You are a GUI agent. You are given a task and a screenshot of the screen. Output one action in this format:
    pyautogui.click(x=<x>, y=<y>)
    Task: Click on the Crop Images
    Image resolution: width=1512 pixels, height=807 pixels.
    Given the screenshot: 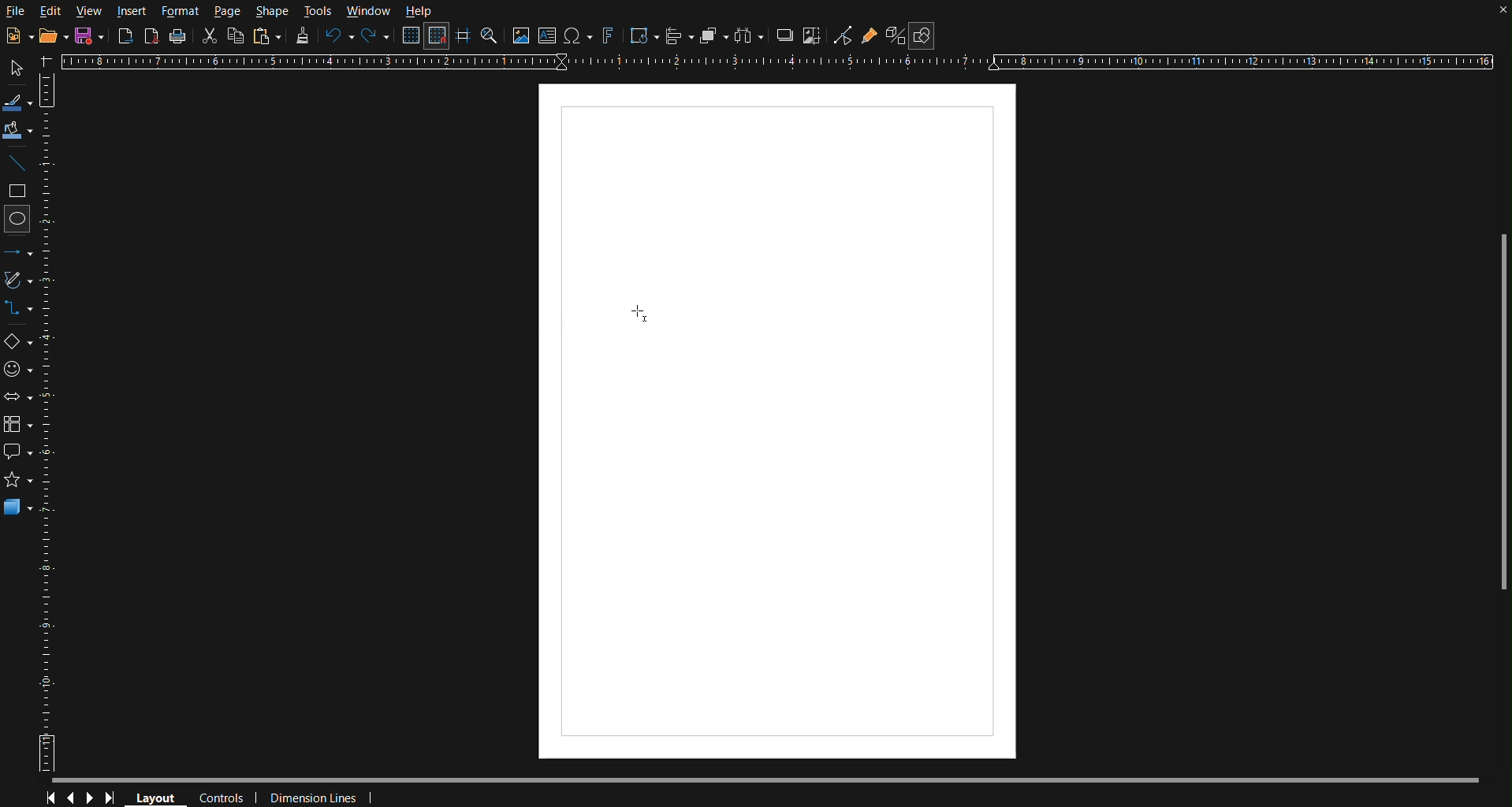 What is the action you would take?
    pyautogui.click(x=814, y=36)
    